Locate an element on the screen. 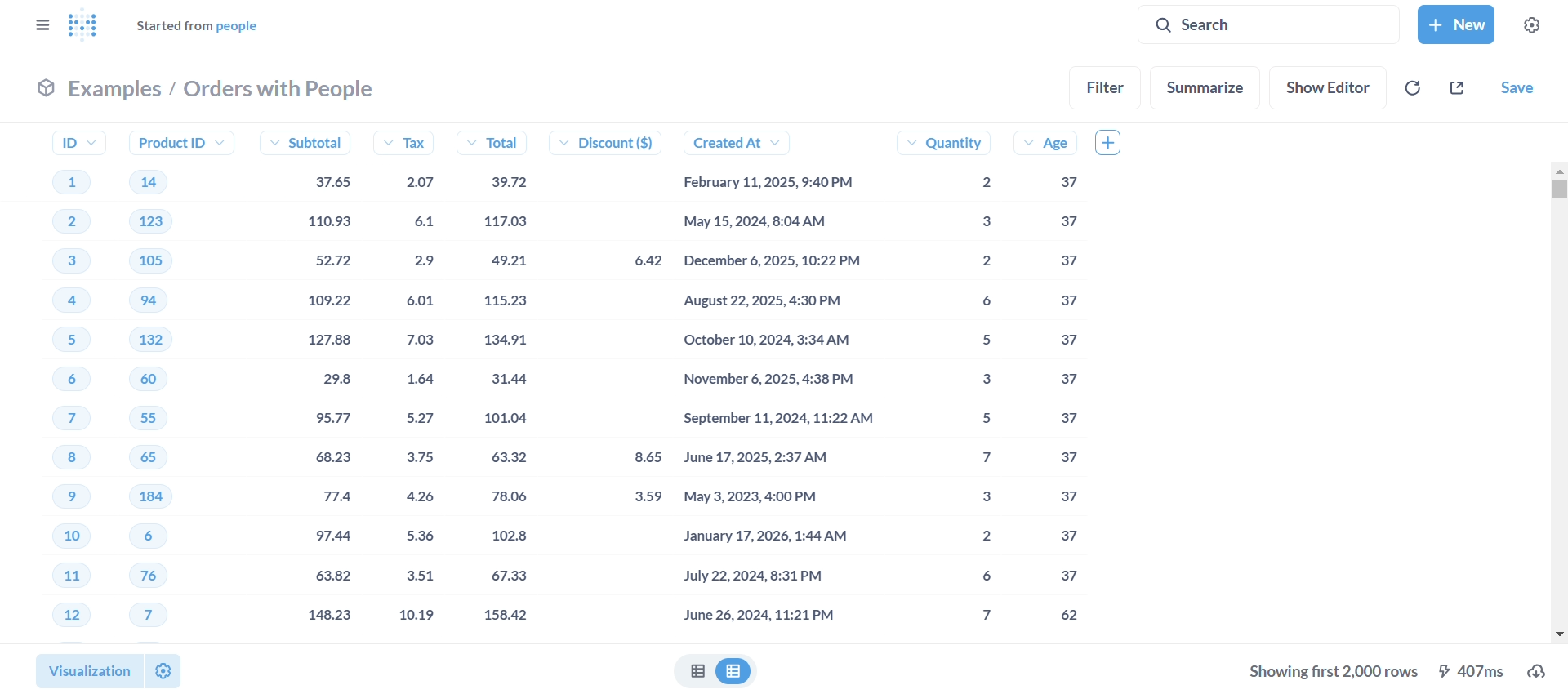   is located at coordinates (1515, 90).